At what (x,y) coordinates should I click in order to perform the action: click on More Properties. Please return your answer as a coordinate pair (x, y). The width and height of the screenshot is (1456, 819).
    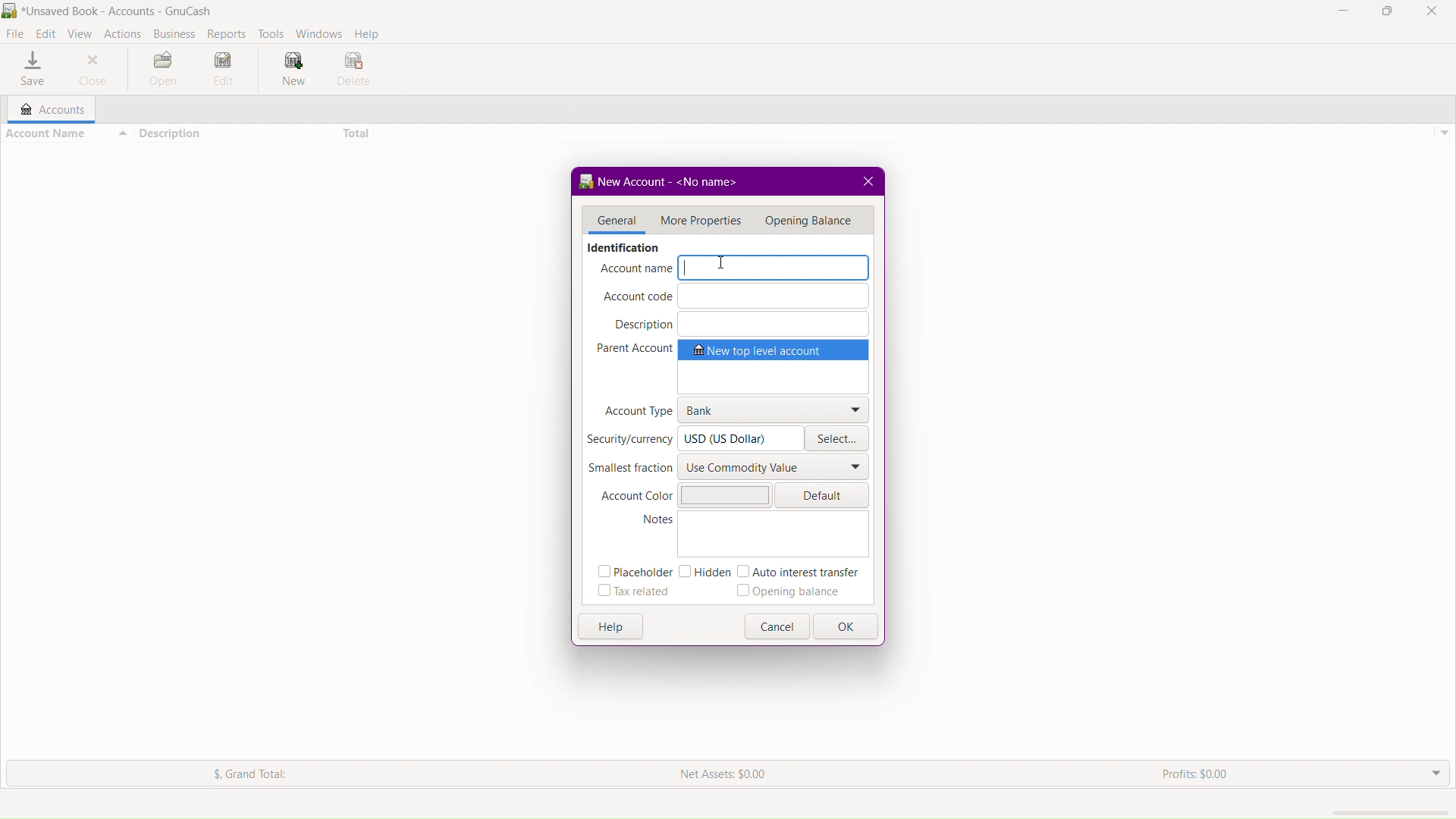
    Looking at the image, I should click on (699, 219).